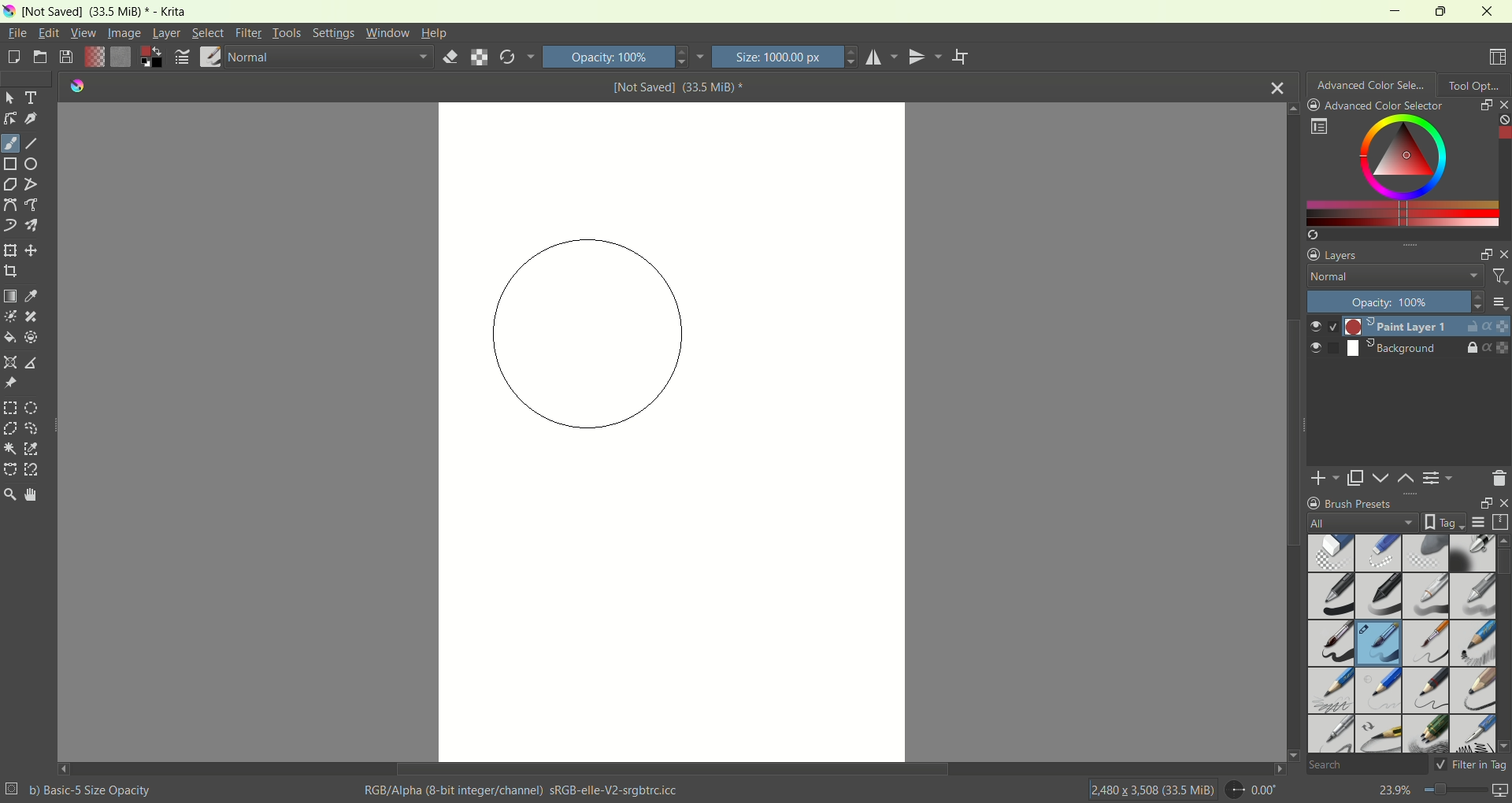  I want to click on b) Basic-5 Size Opacity, so click(81, 789).